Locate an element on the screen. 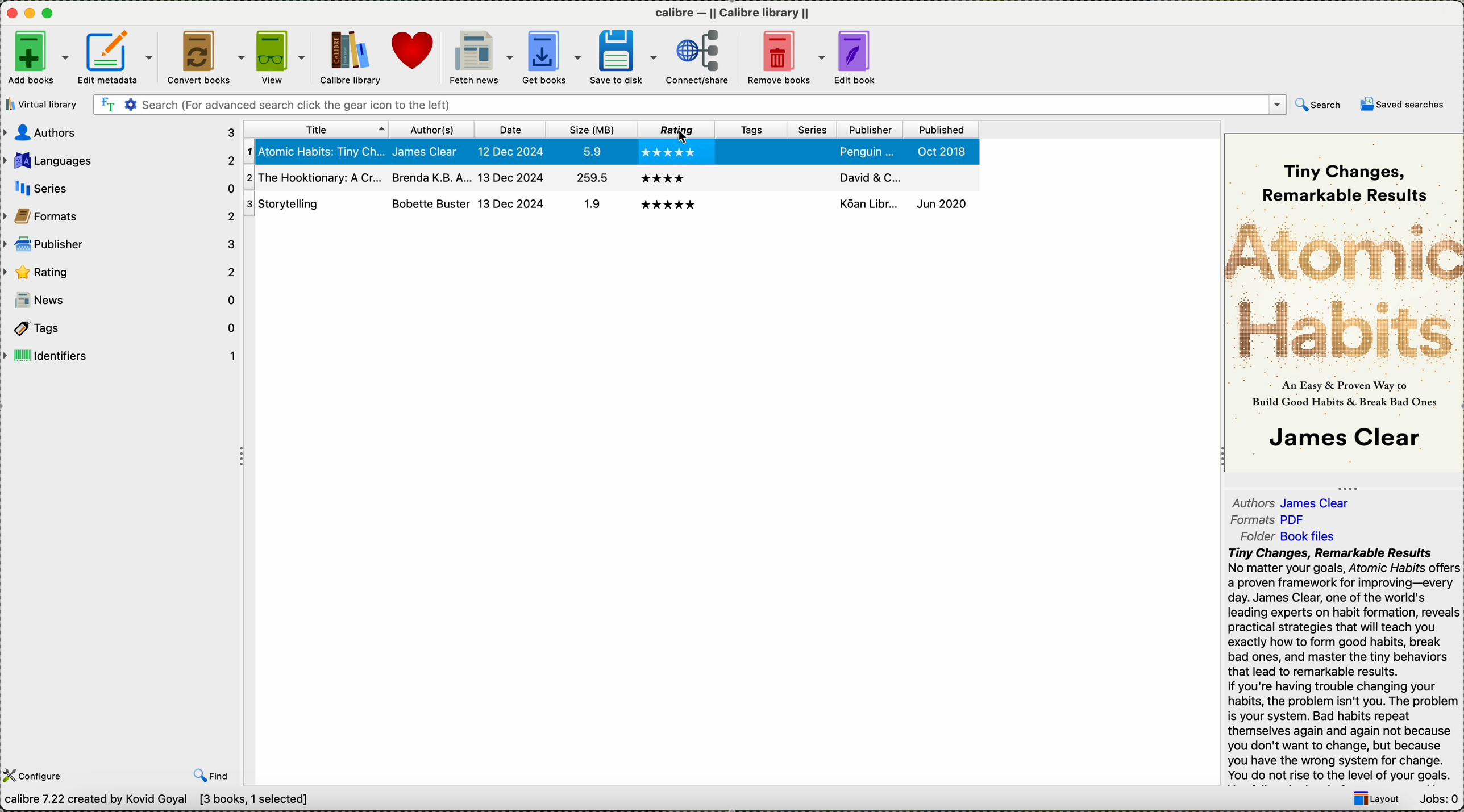 The width and height of the screenshot is (1464, 812). folder book files is located at coordinates (1250, 536).